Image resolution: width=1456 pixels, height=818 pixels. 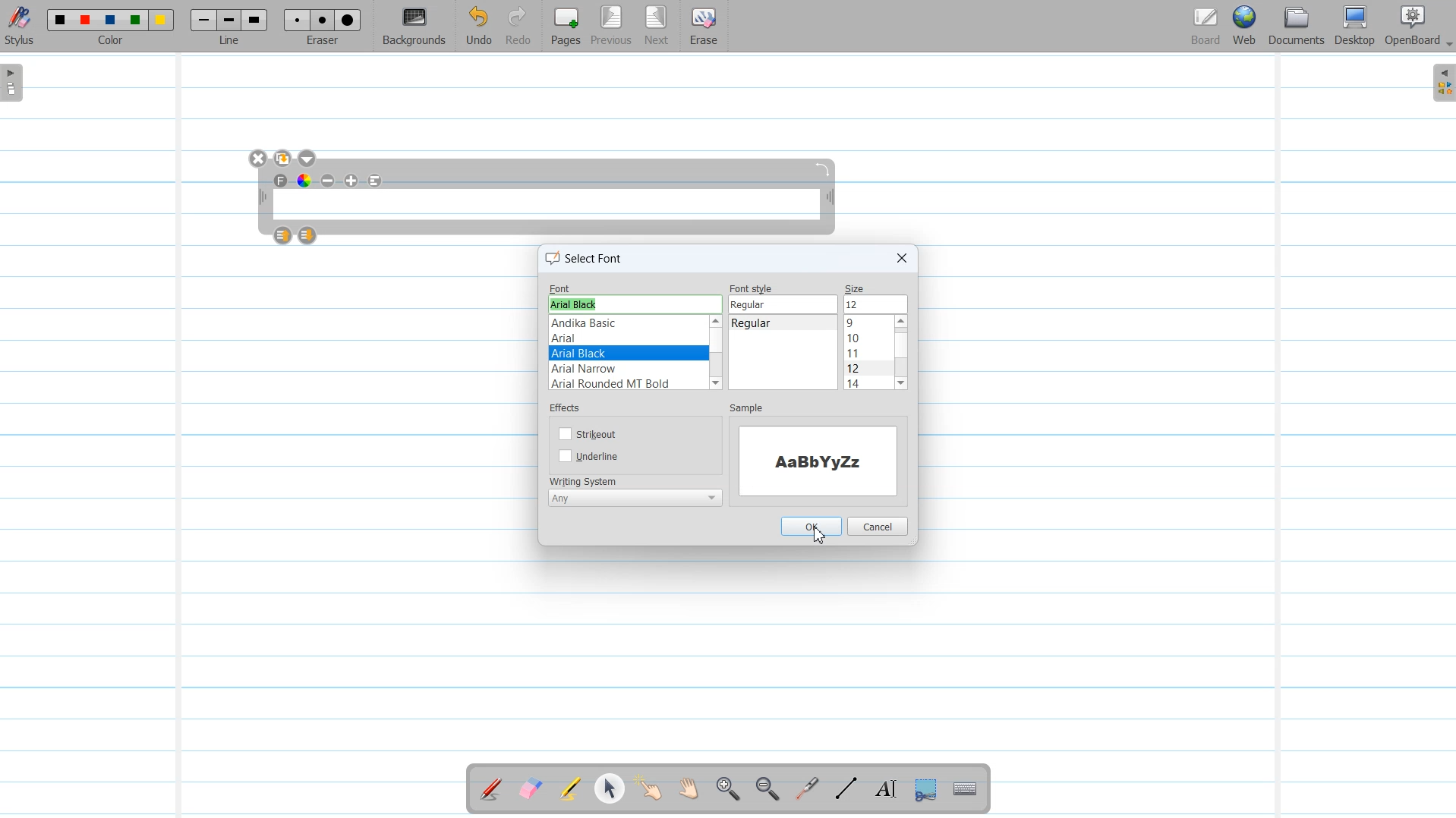 I want to click on Adjust width of text tool, so click(x=830, y=199).